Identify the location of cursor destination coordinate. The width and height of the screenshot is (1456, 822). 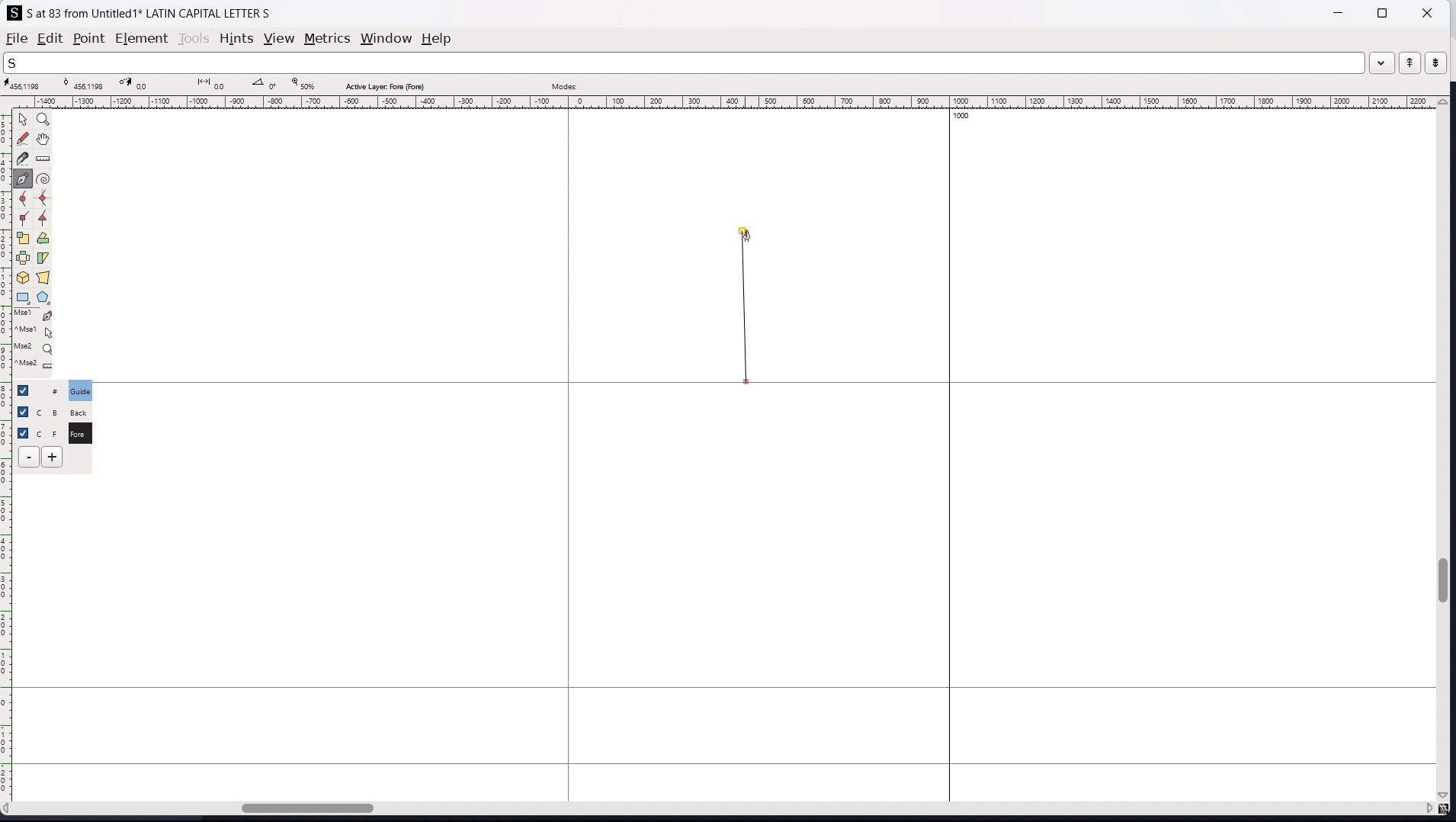
(144, 84).